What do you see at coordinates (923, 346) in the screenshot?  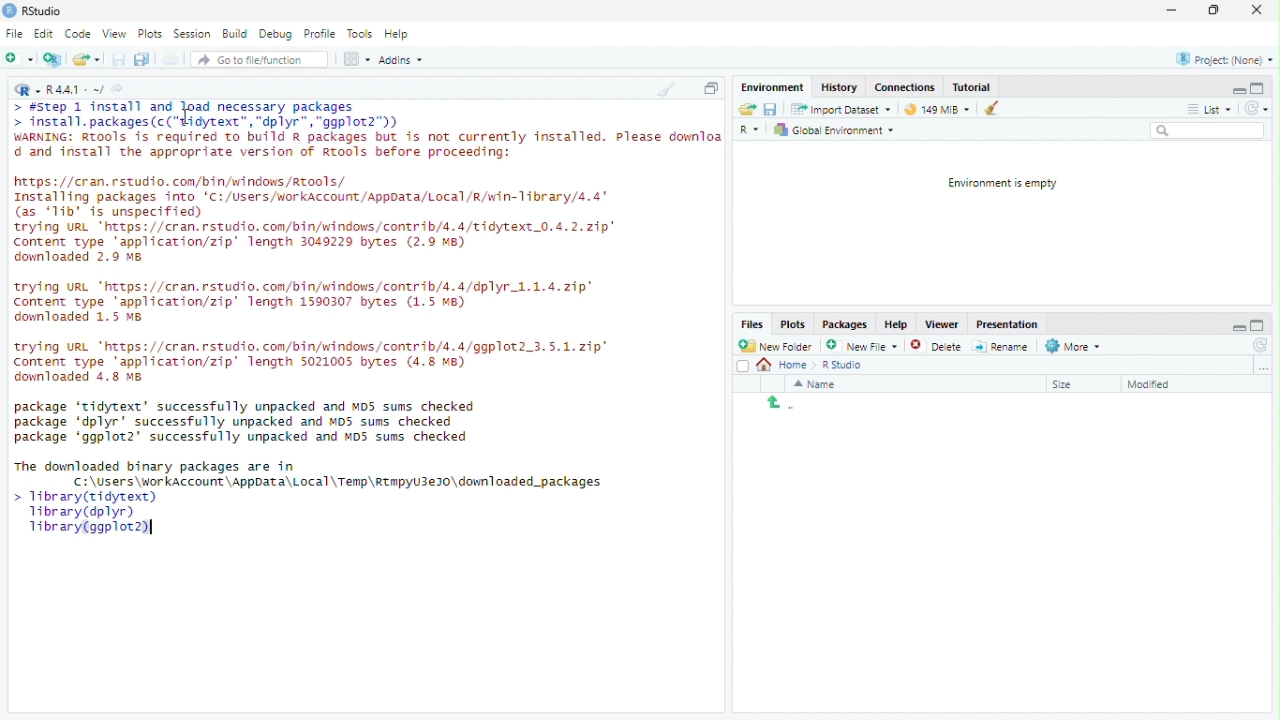 I see `Delete` at bounding box center [923, 346].